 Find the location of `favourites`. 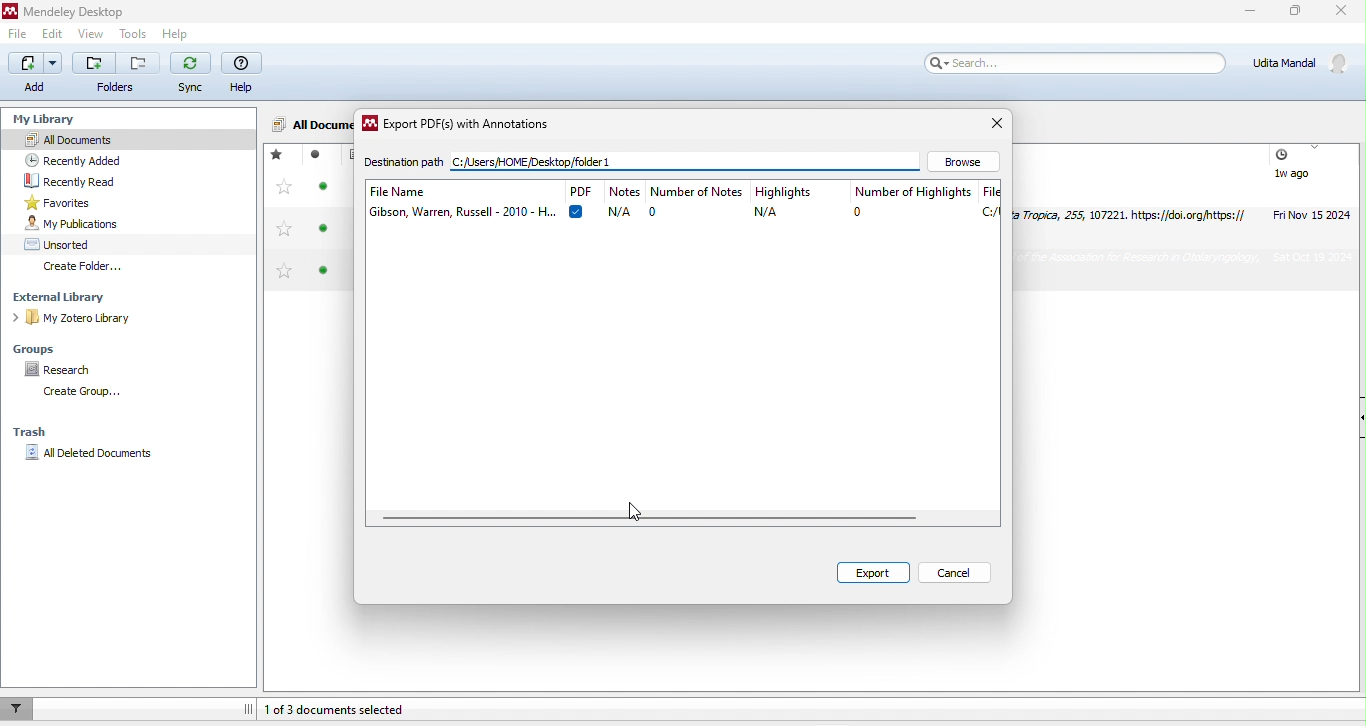

favourites is located at coordinates (80, 201).